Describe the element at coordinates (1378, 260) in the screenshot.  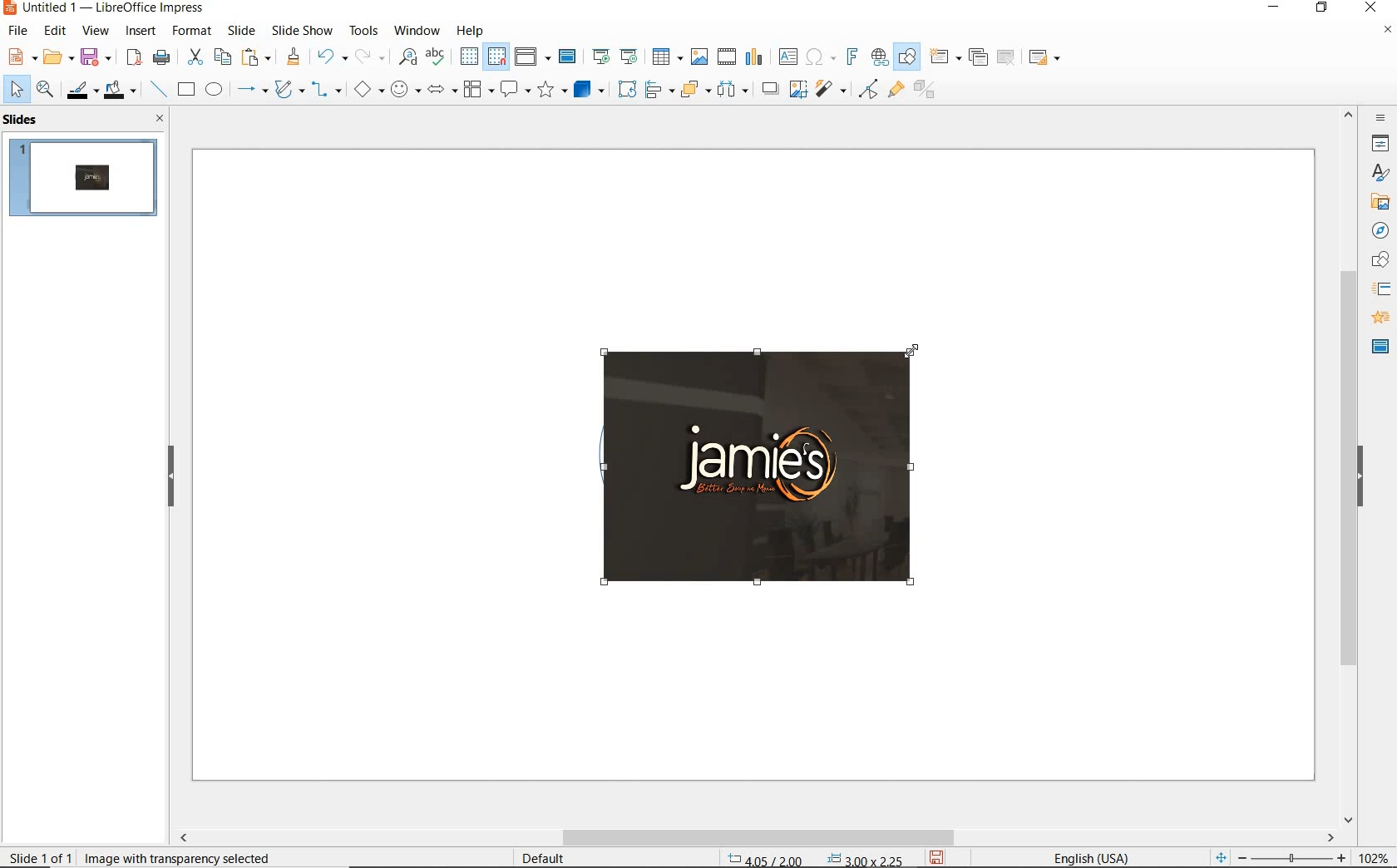
I see `shapes` at that location.